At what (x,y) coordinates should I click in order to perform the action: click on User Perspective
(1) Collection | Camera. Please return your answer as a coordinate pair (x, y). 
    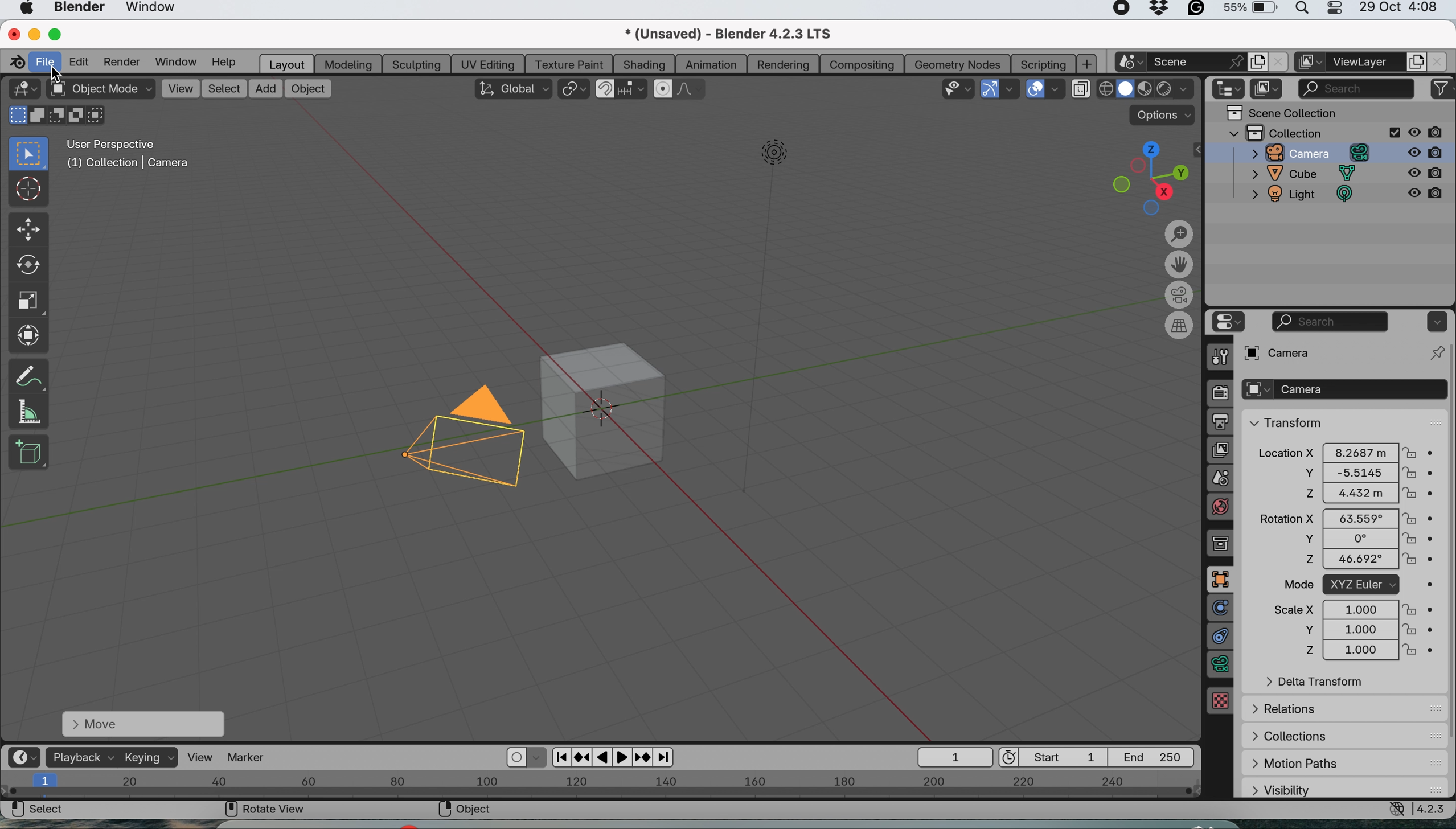
    Looking at the image, I should click on (134, 157).